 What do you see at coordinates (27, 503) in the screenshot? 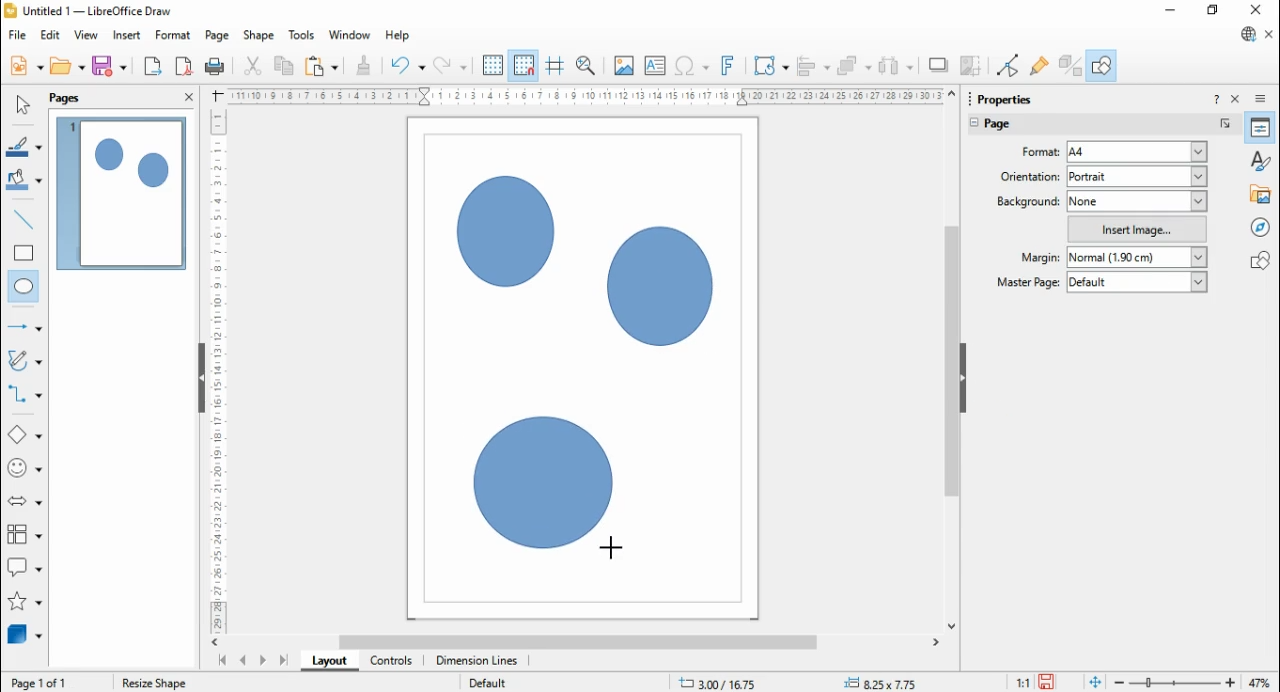
I see `block arrows` at bounding box center [27, 503].